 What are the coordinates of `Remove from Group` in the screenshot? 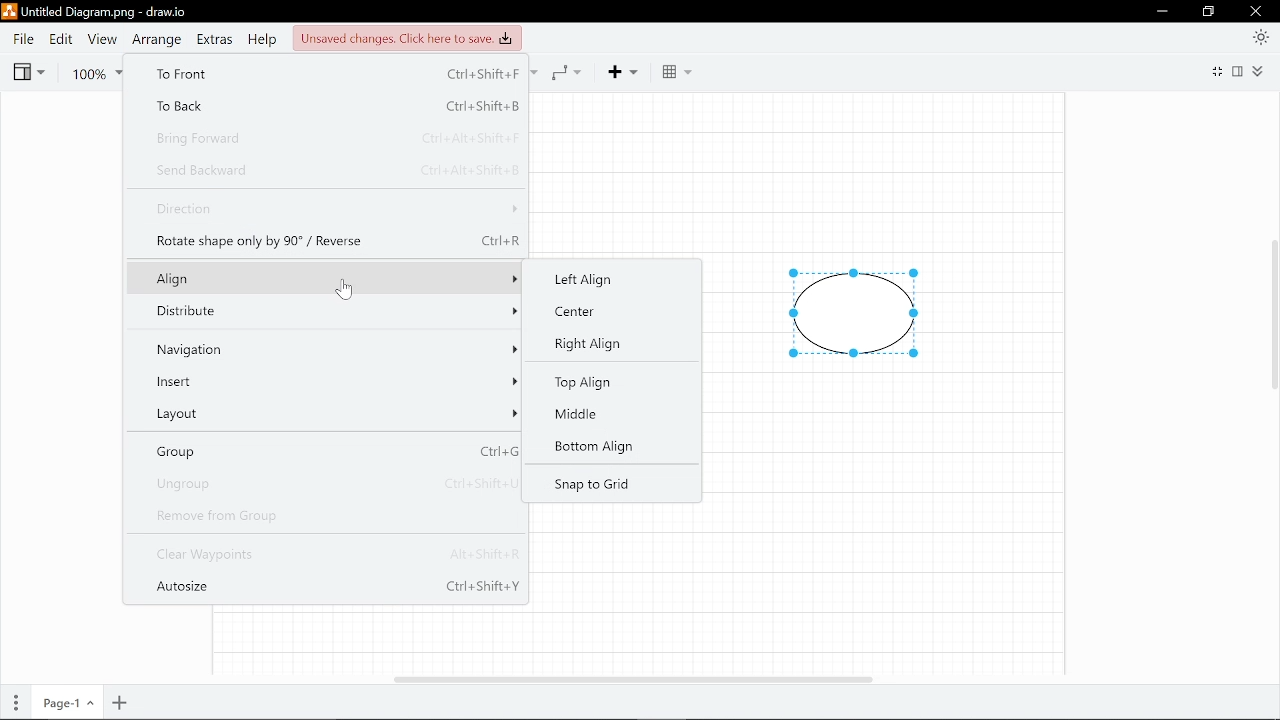 It's located at (328, 516).